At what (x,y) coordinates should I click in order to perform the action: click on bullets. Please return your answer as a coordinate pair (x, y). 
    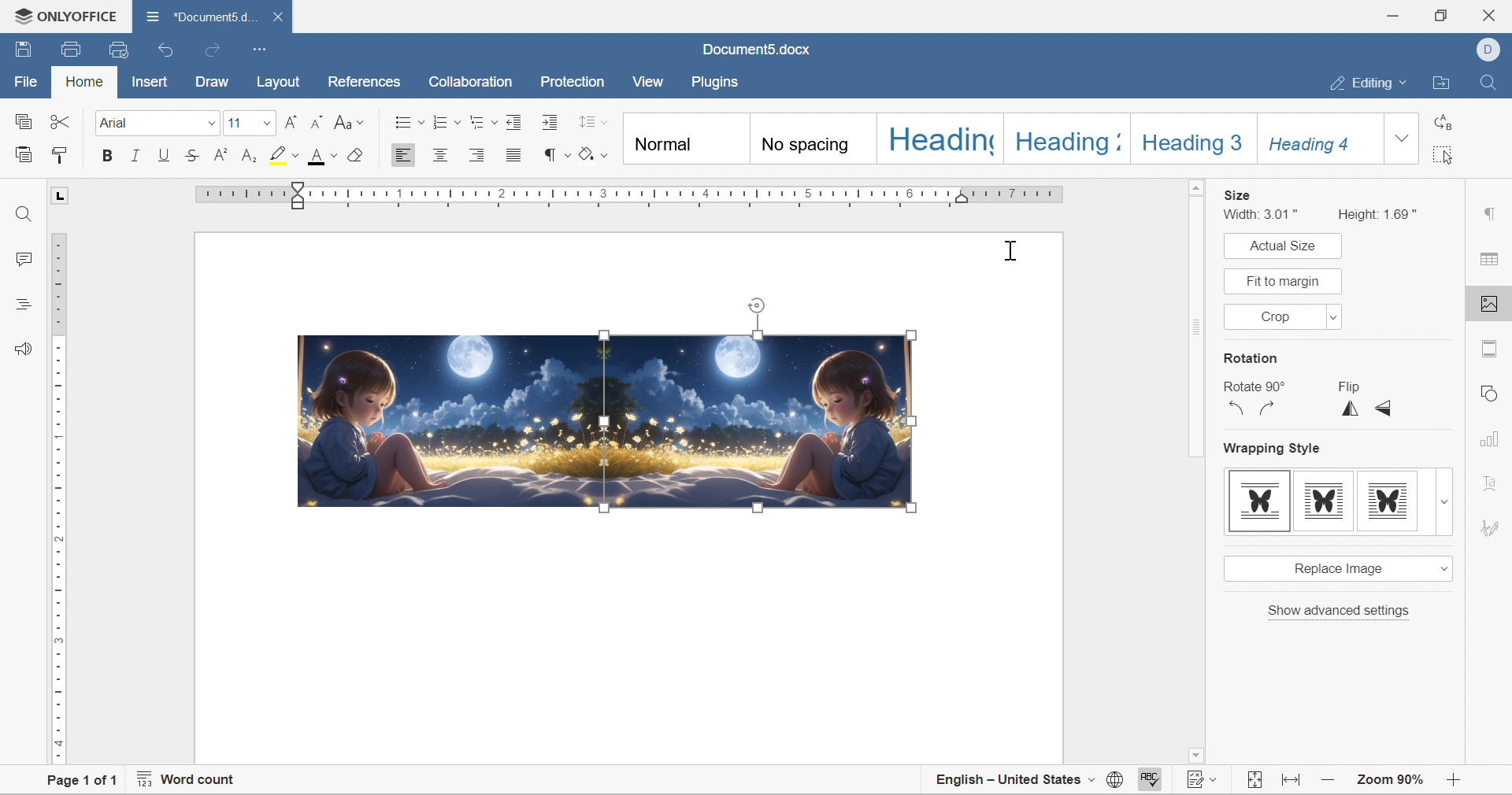
    Looking at the image, I should click on (409, 120).